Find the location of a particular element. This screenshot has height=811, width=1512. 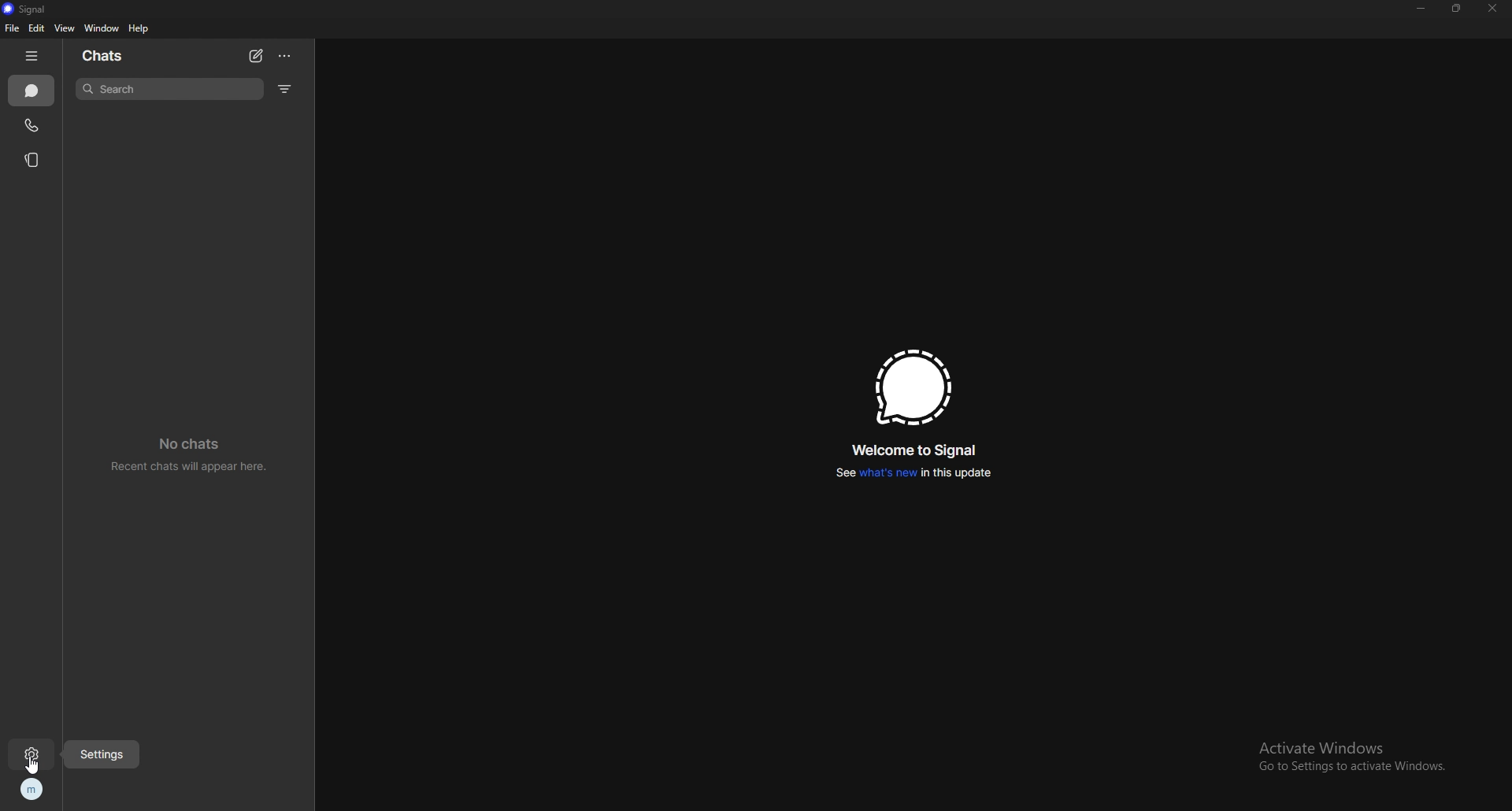

signal is located at coordinates (913, 387).